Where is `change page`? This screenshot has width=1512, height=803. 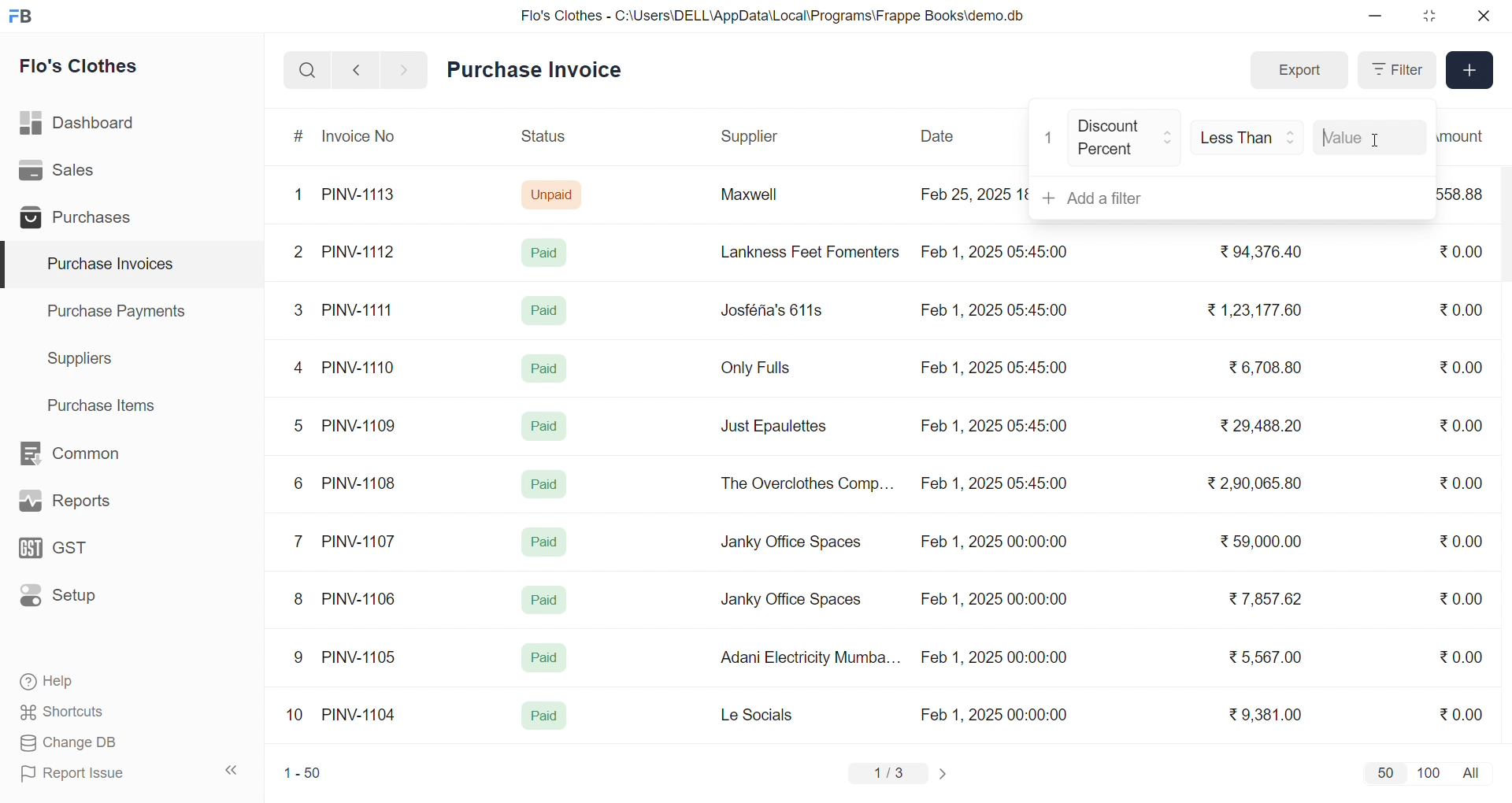
change page is located at coordinates (945, 773).